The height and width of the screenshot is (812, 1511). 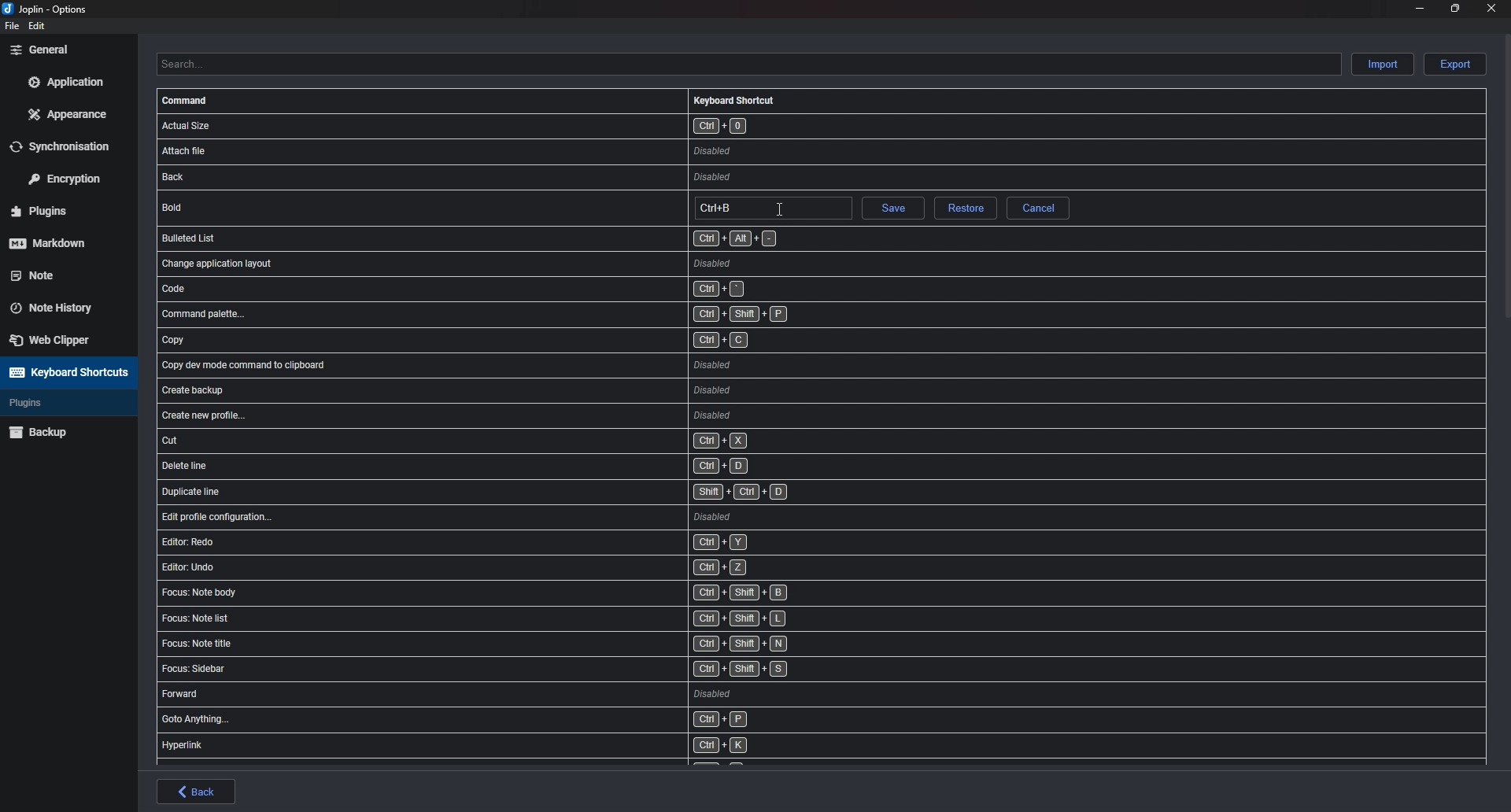 What do you see at coordinates (70, 146) in the screenshot?
I see `Synchronization` at bounding box center [70, 146].